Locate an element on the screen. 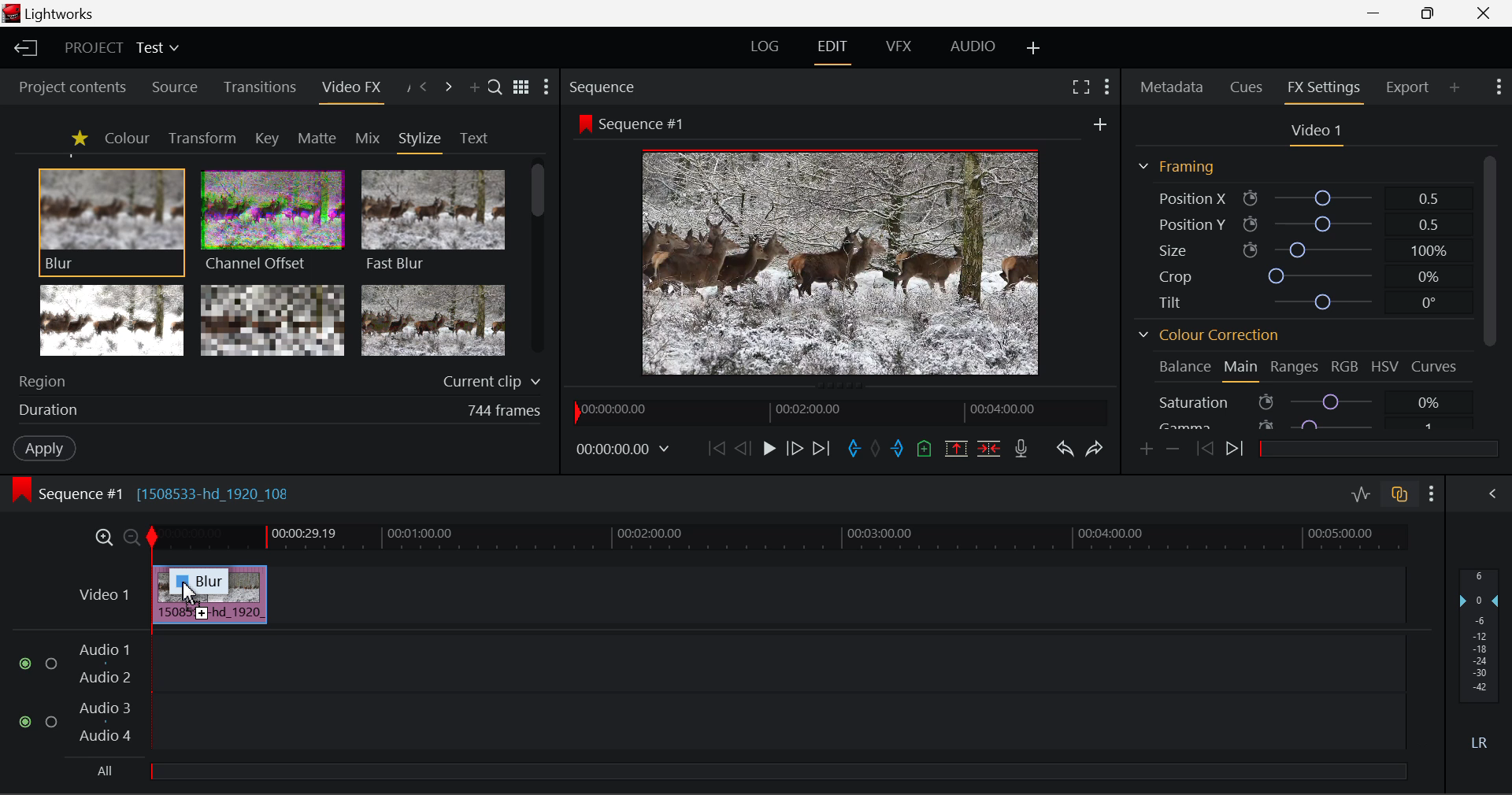 Image resolution: width=1512 pixels, height=795 pixels. Toggle audio levels editing is located at coordinates (1360, 493).